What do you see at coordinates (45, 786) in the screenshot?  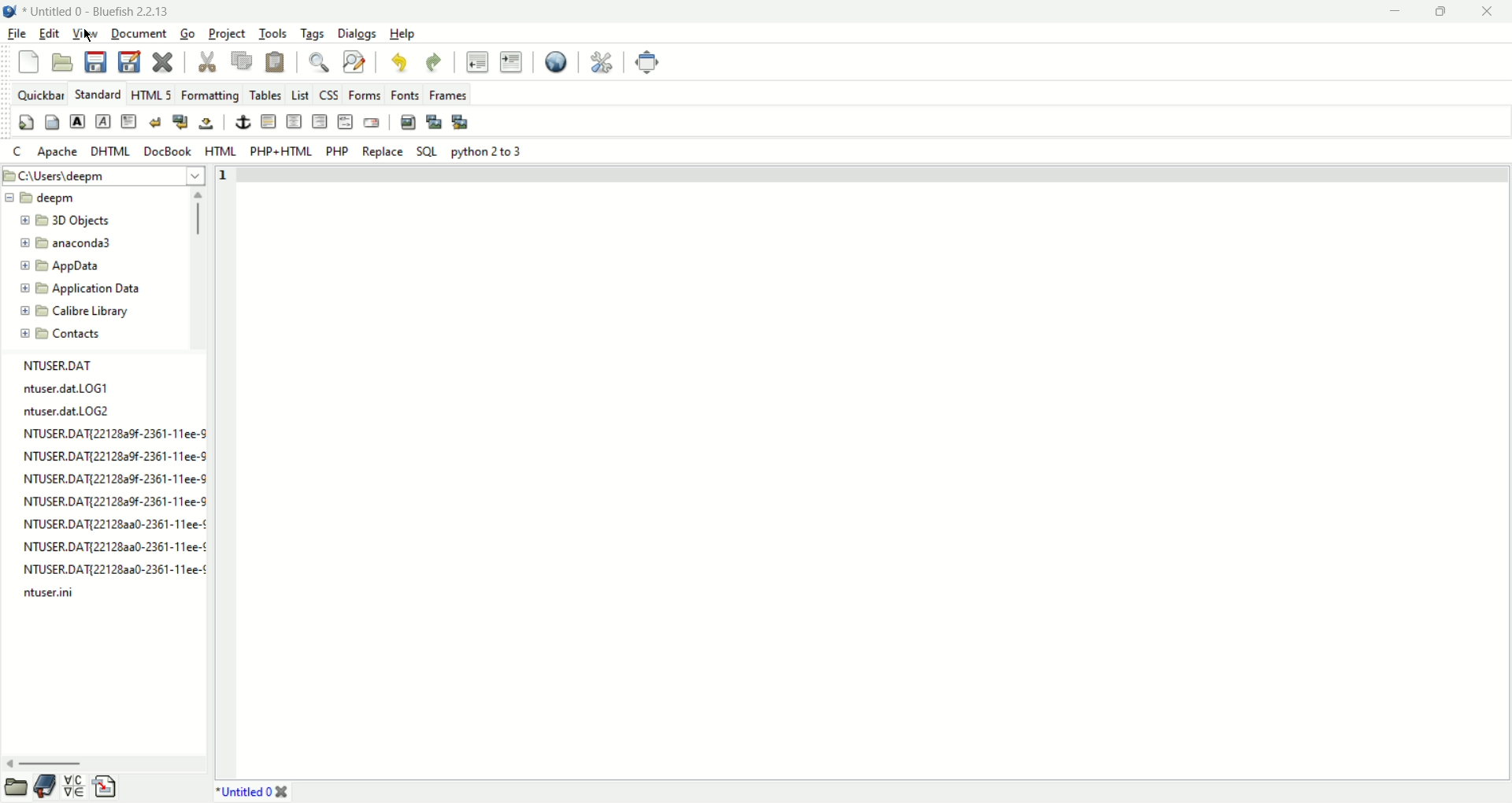 I see `bookmarks` at bounding box center [45, 786].